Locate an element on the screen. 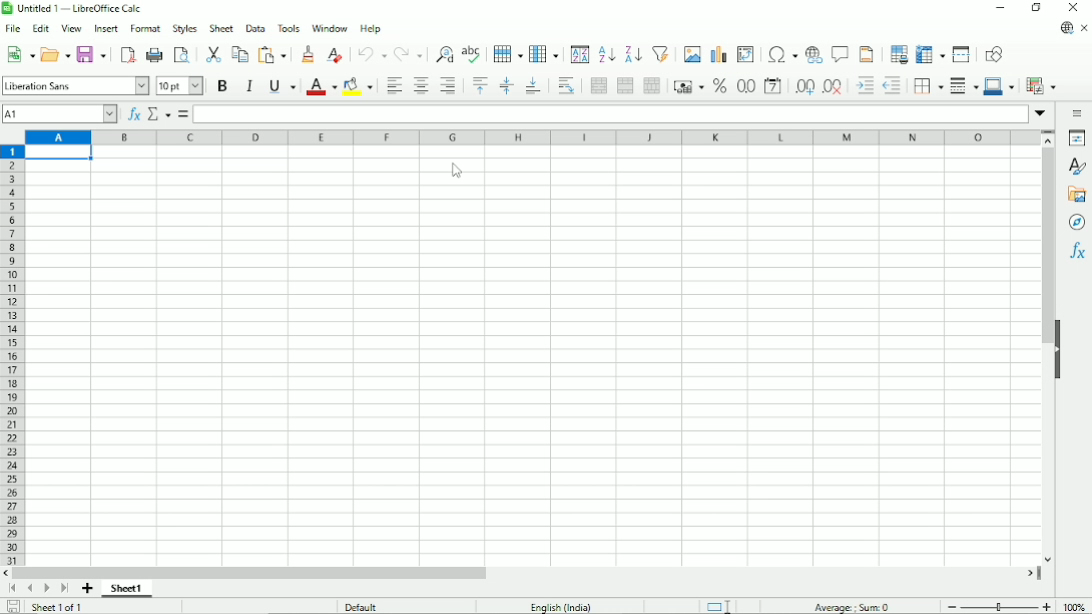  Sheet is located at coordinates (223, 27).